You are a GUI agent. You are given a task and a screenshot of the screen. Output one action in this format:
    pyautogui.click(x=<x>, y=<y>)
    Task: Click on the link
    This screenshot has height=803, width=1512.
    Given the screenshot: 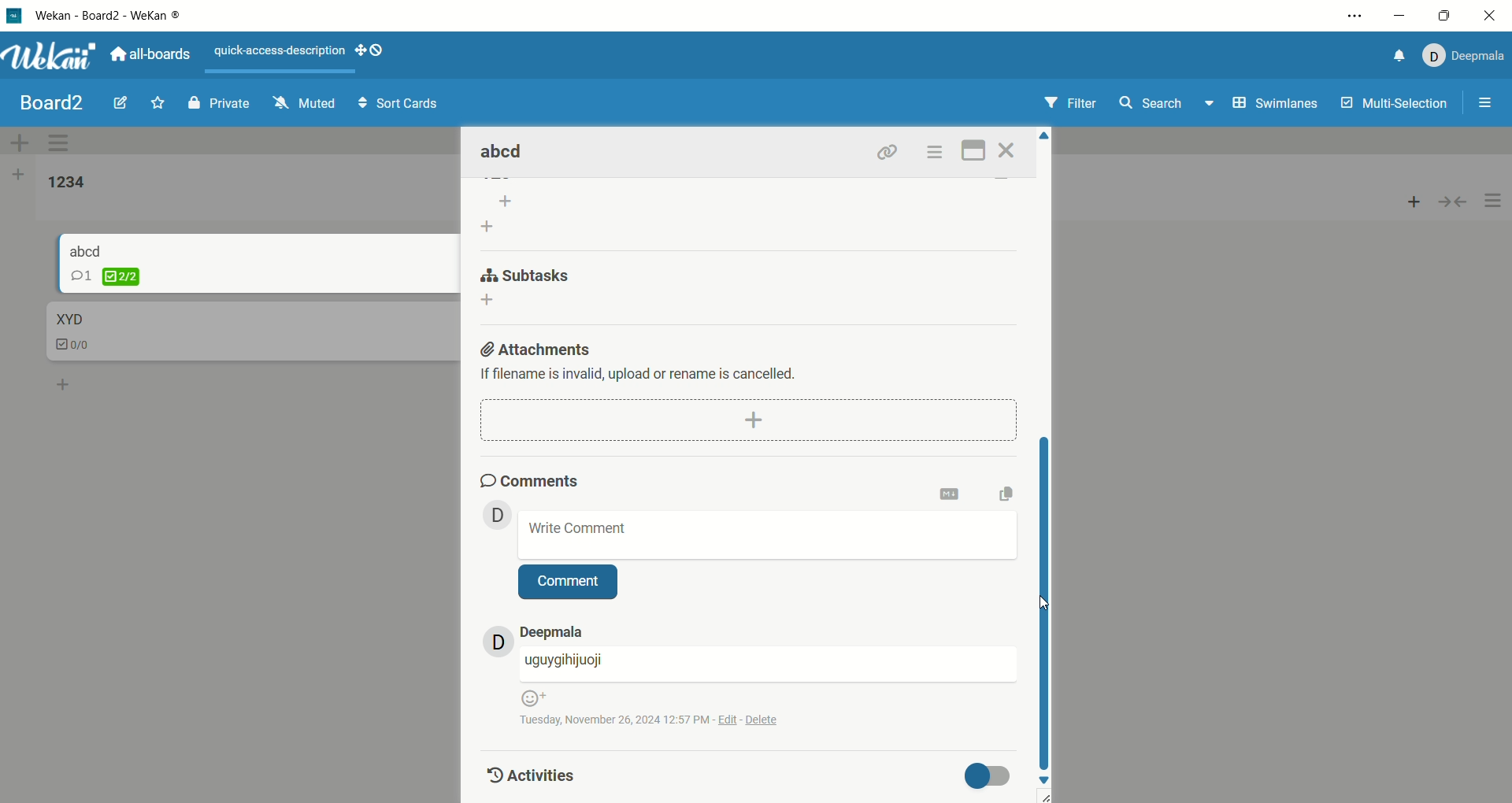 What is the action you would take?
    pyautogui.click(x=888, y=151)
    